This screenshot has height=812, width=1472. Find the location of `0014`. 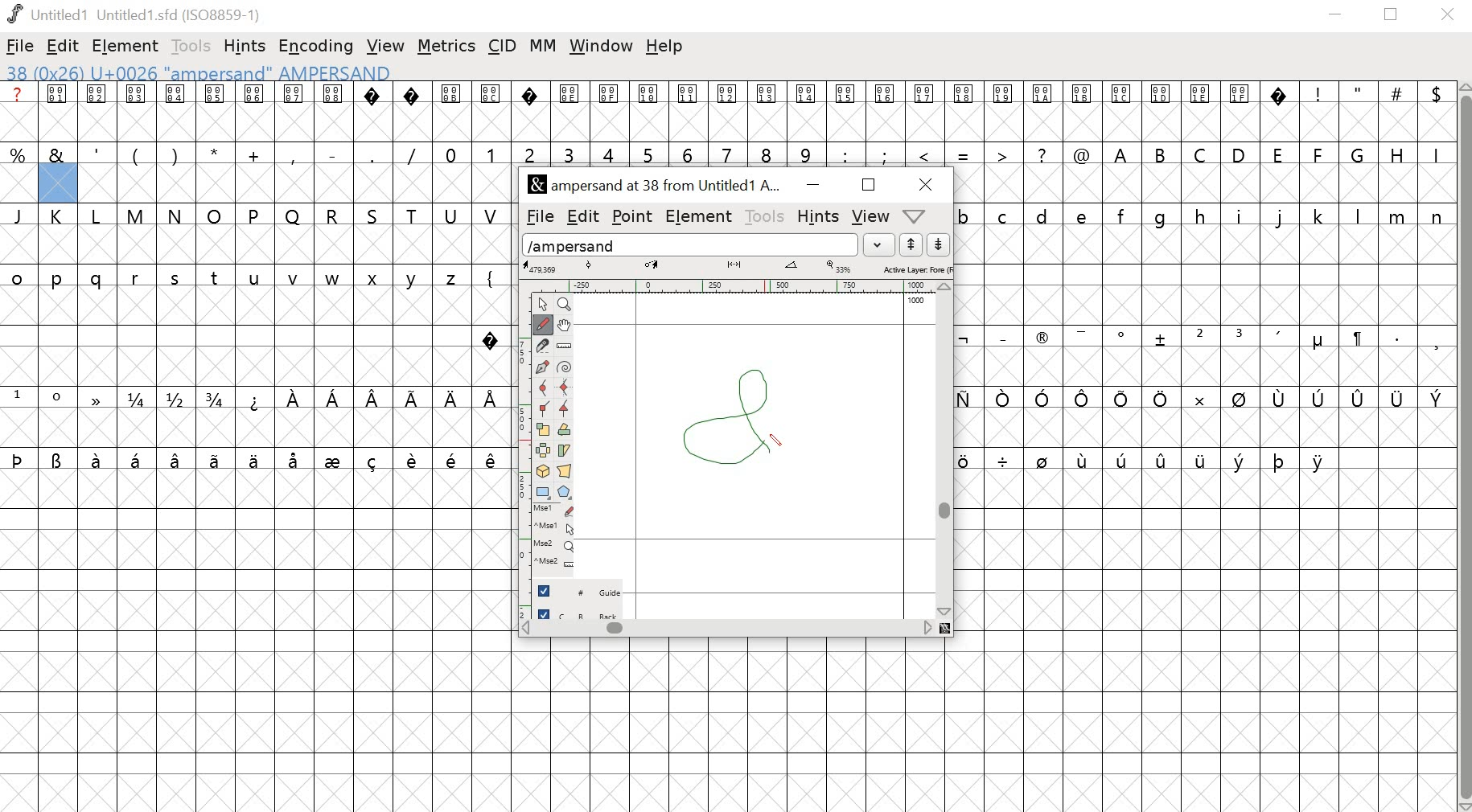

0014 is located at coordinates (807, 112).